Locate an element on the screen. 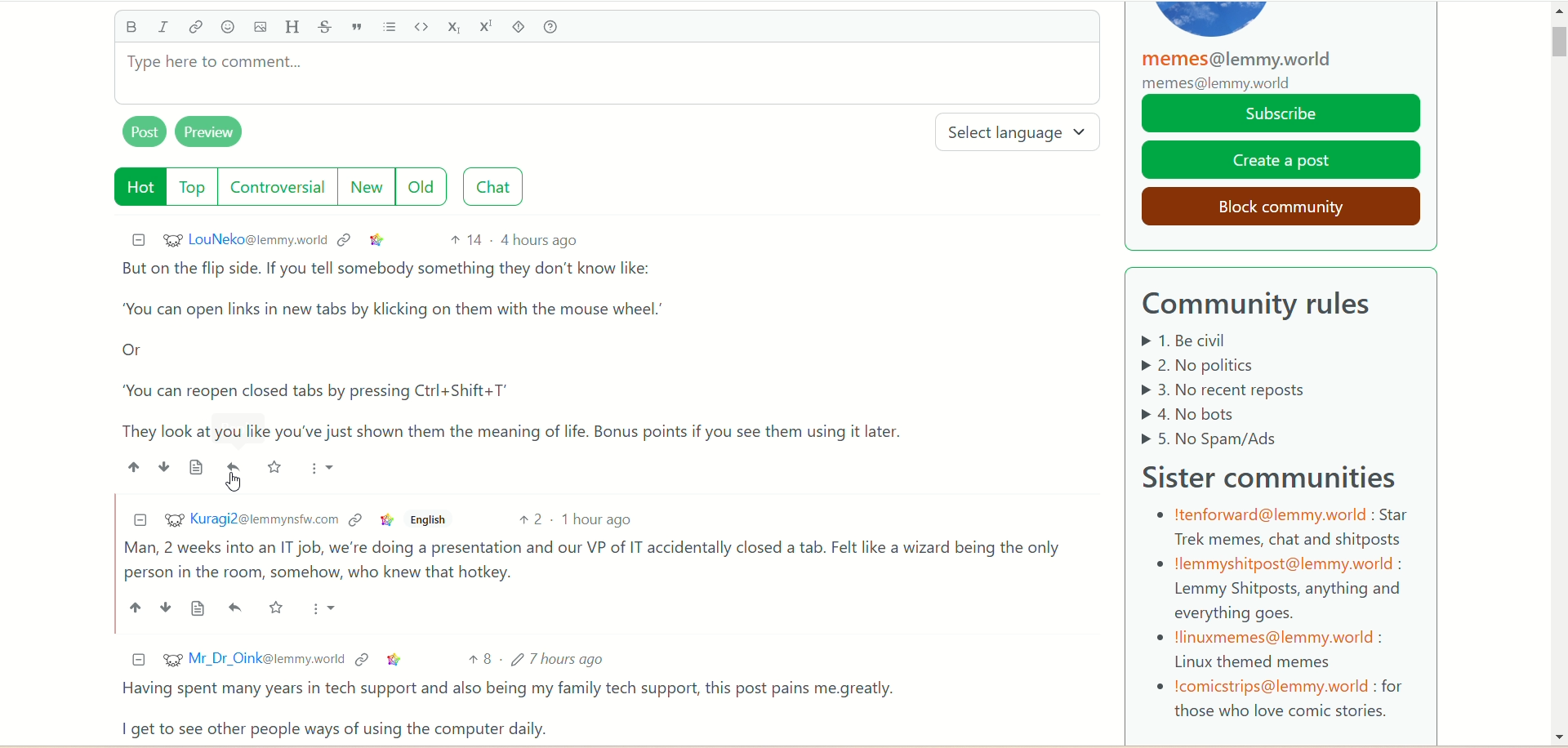  more is located at coordinates (317, 465).